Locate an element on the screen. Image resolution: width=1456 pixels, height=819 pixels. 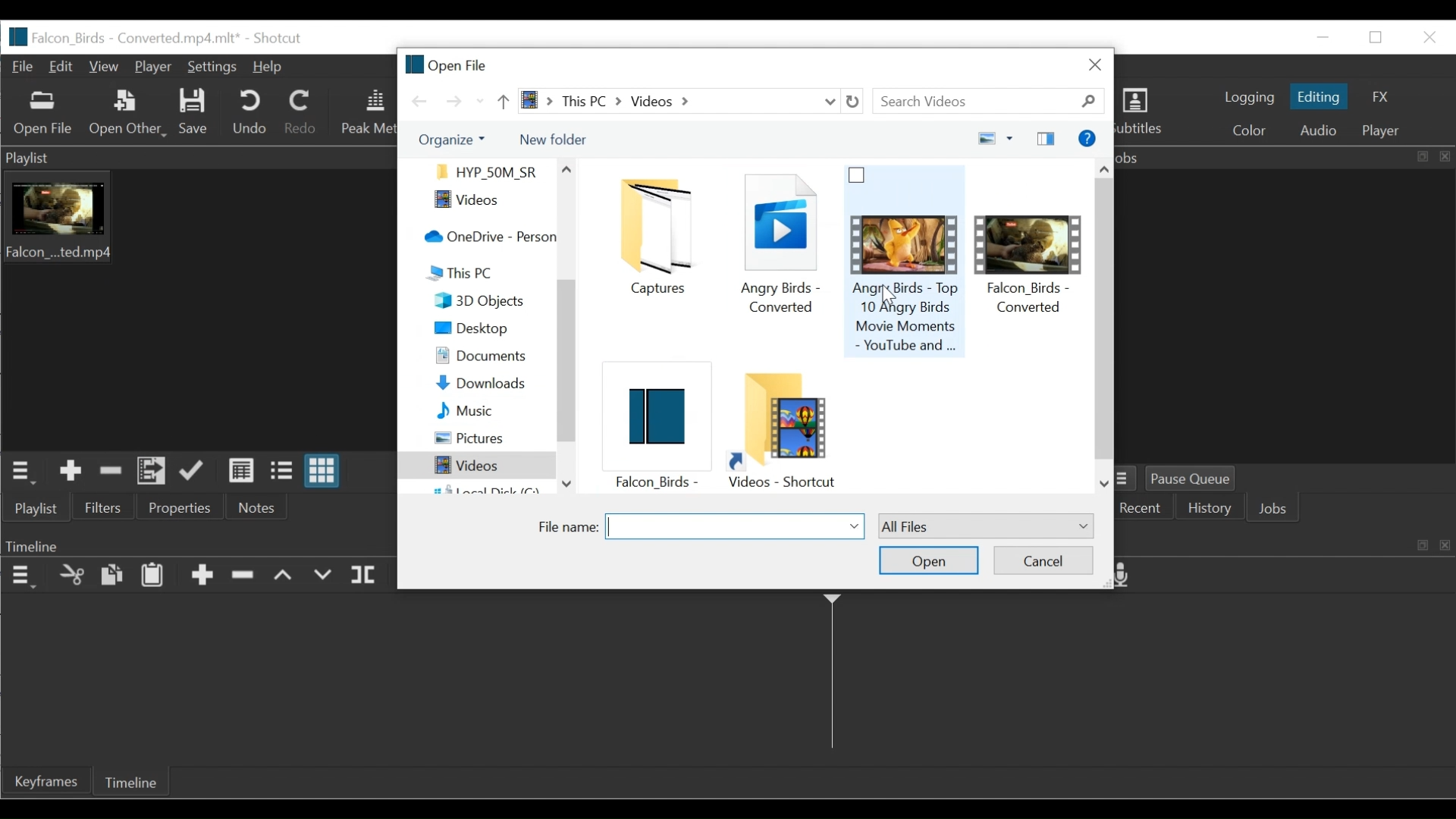
File is located at coordinates (24, 67).